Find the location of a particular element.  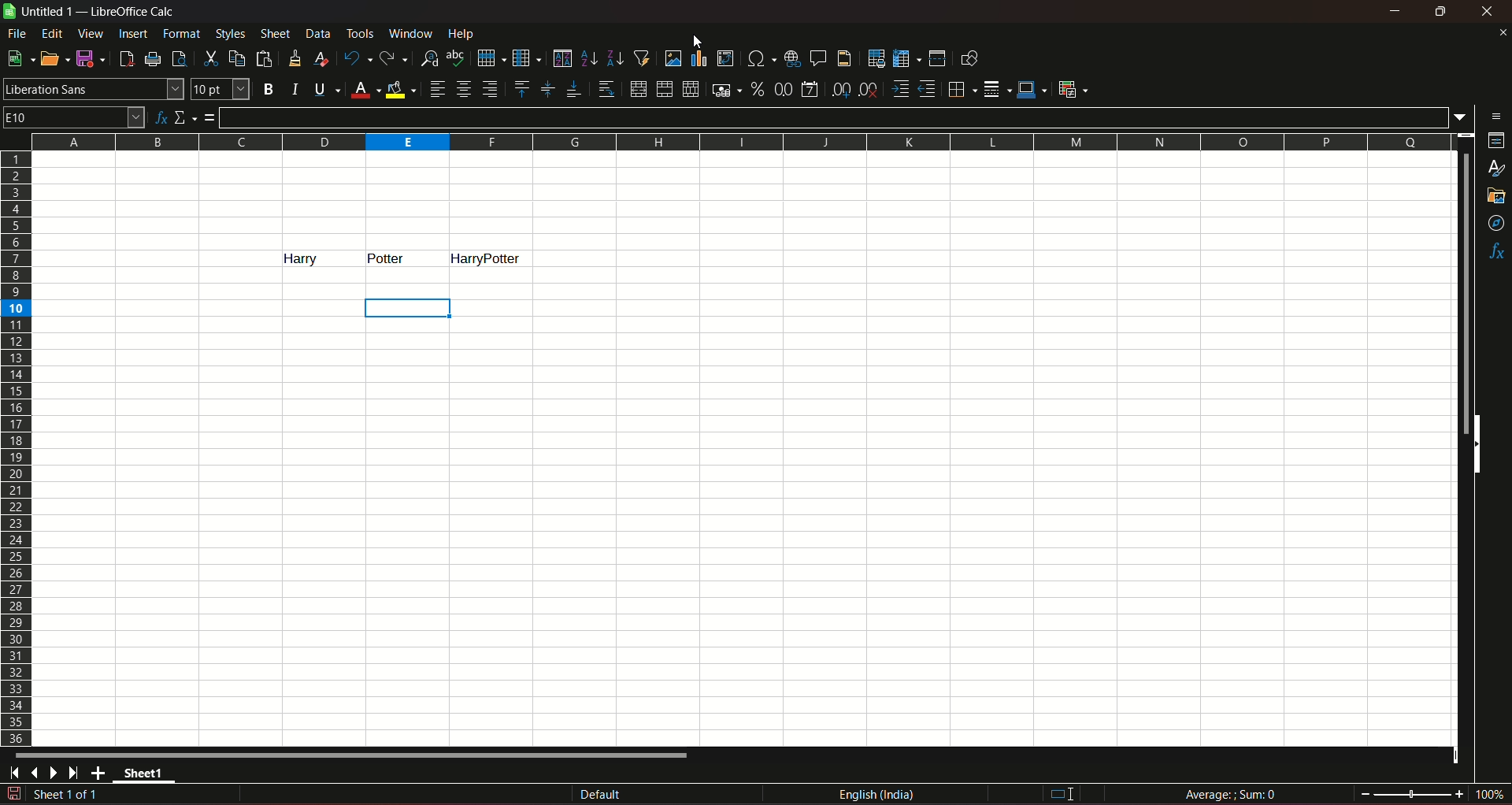

insert chart is located at coordinates (699, 59).